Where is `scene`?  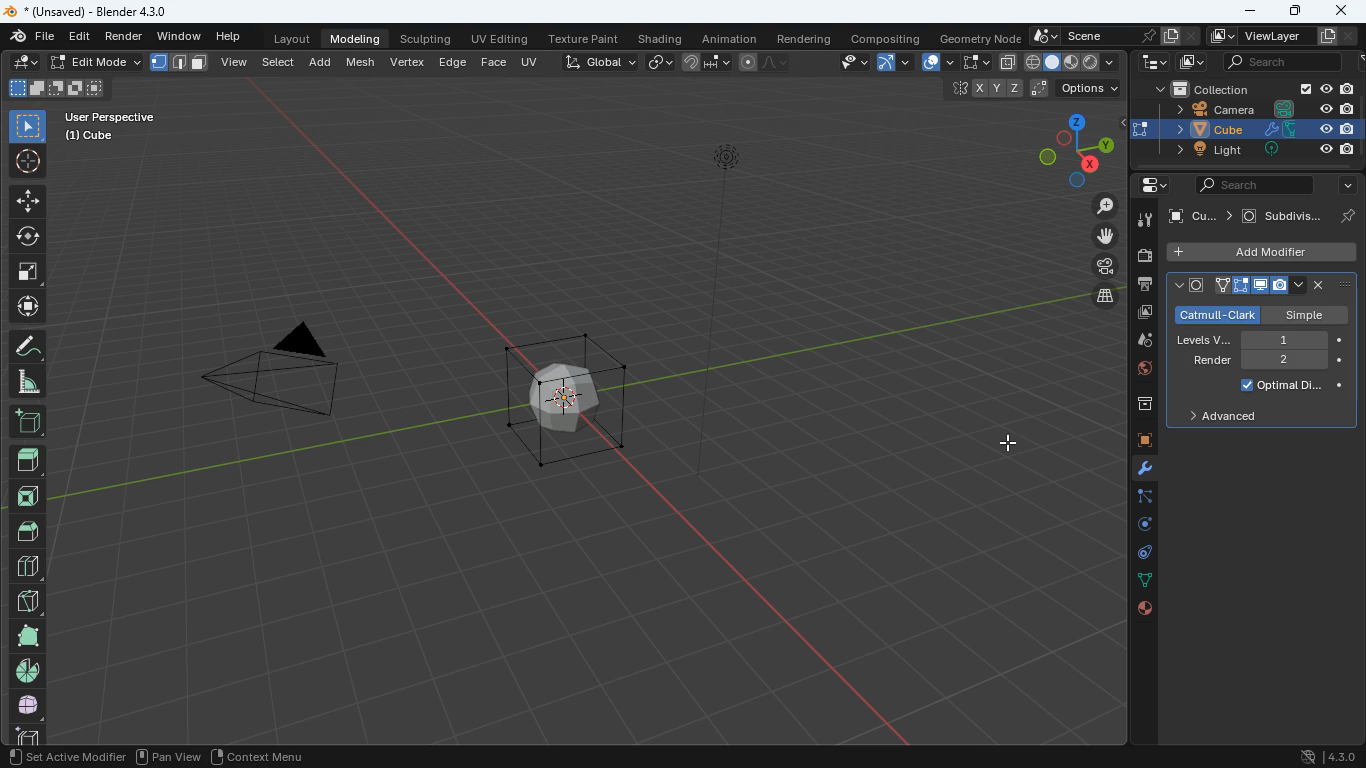
scene is located at coordinates (1114, 34).